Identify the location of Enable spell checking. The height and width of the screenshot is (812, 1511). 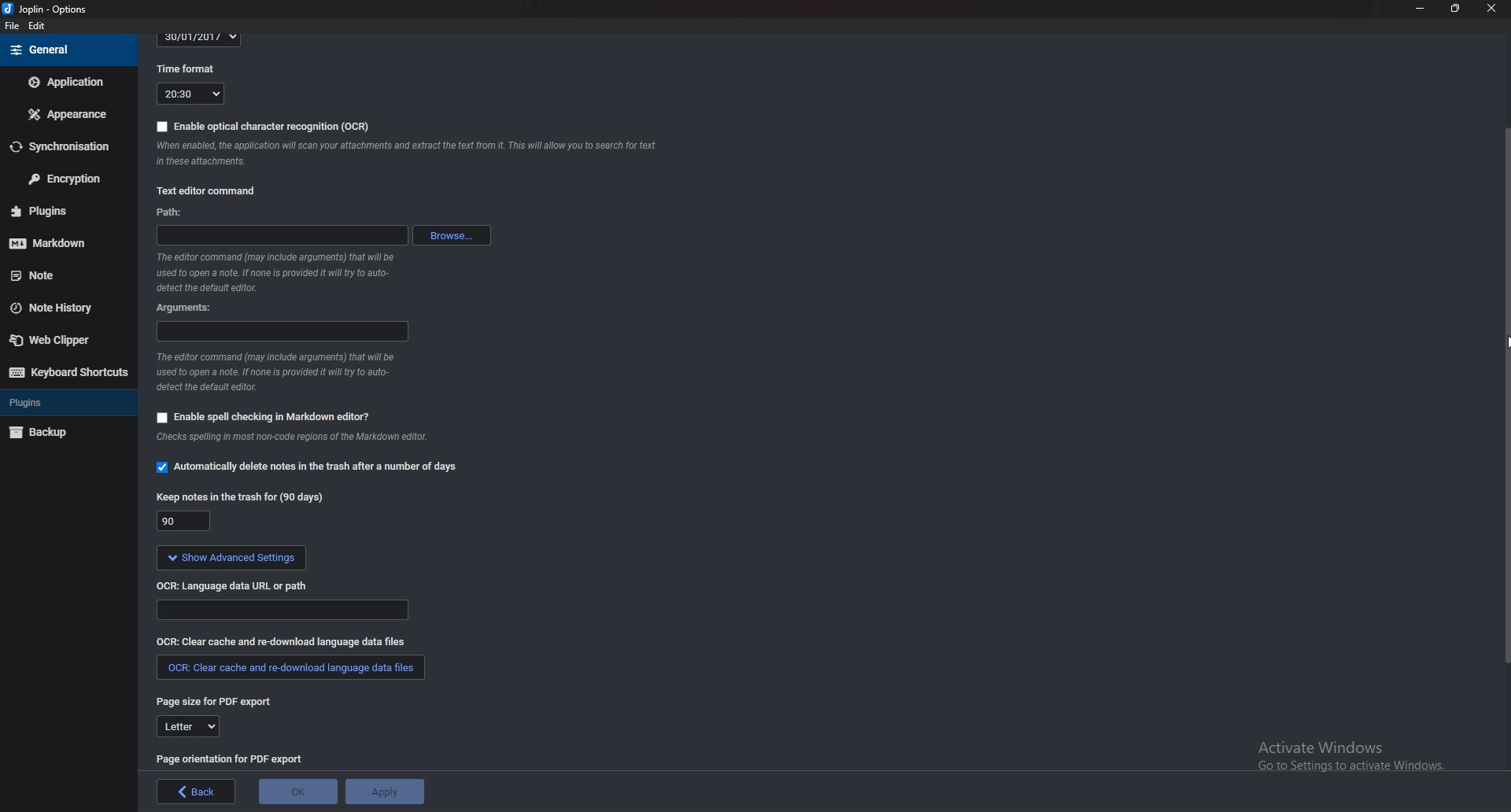
(263, 417).